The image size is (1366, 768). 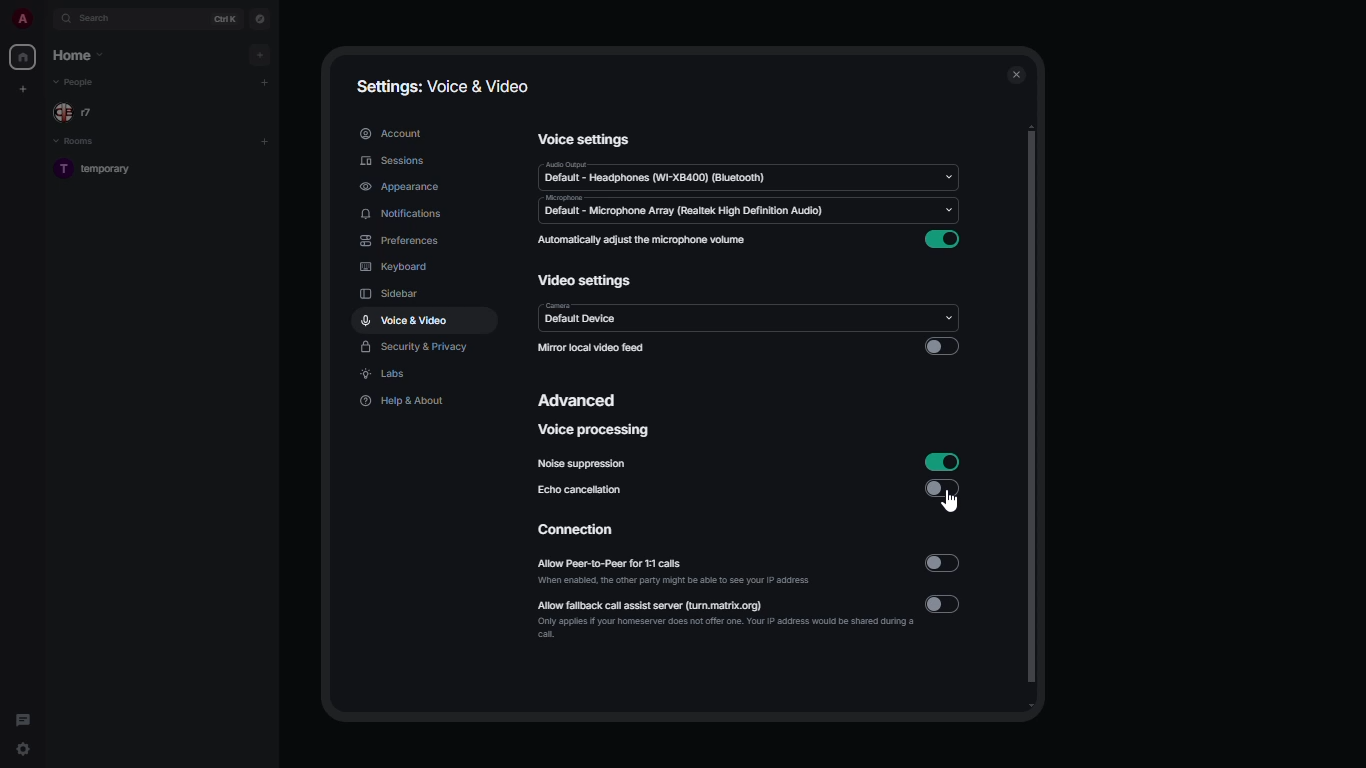 What do you see at coordinates (585, 465) in the screenshot?
I see `noise suppression` at bounding box center [585, 465].